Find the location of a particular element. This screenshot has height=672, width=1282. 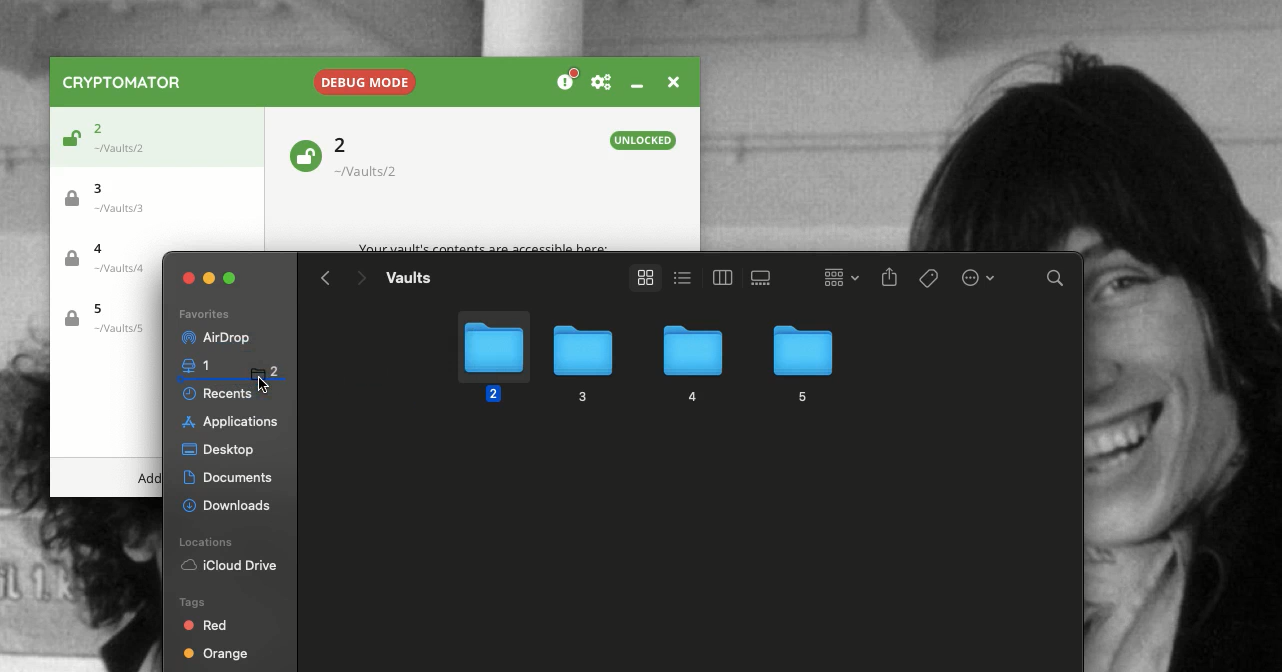

 is located at coordinates (489, 359).